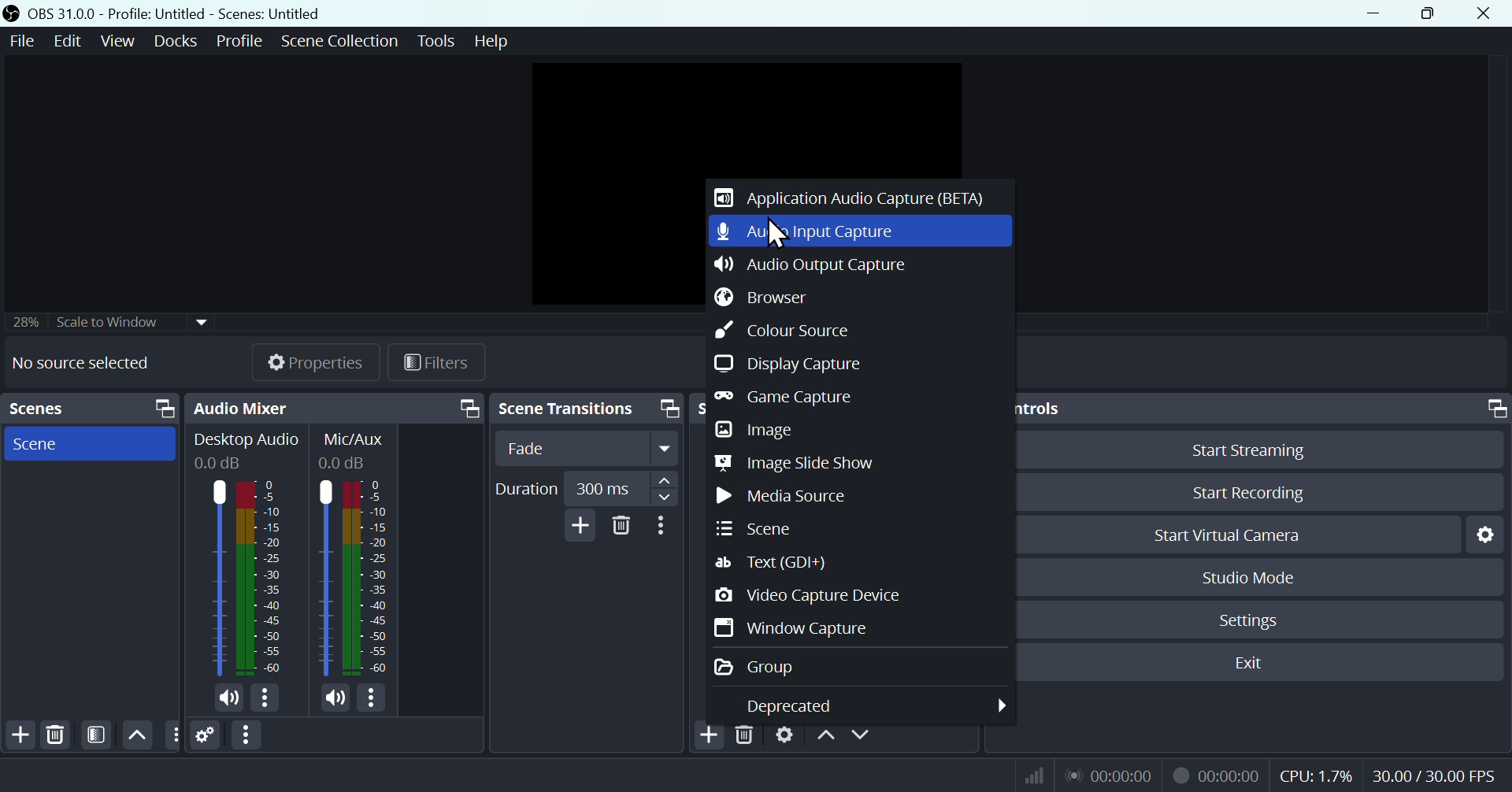 This screenshot has width=1512, height=792. I want to click on Delete, so click(622, 526).